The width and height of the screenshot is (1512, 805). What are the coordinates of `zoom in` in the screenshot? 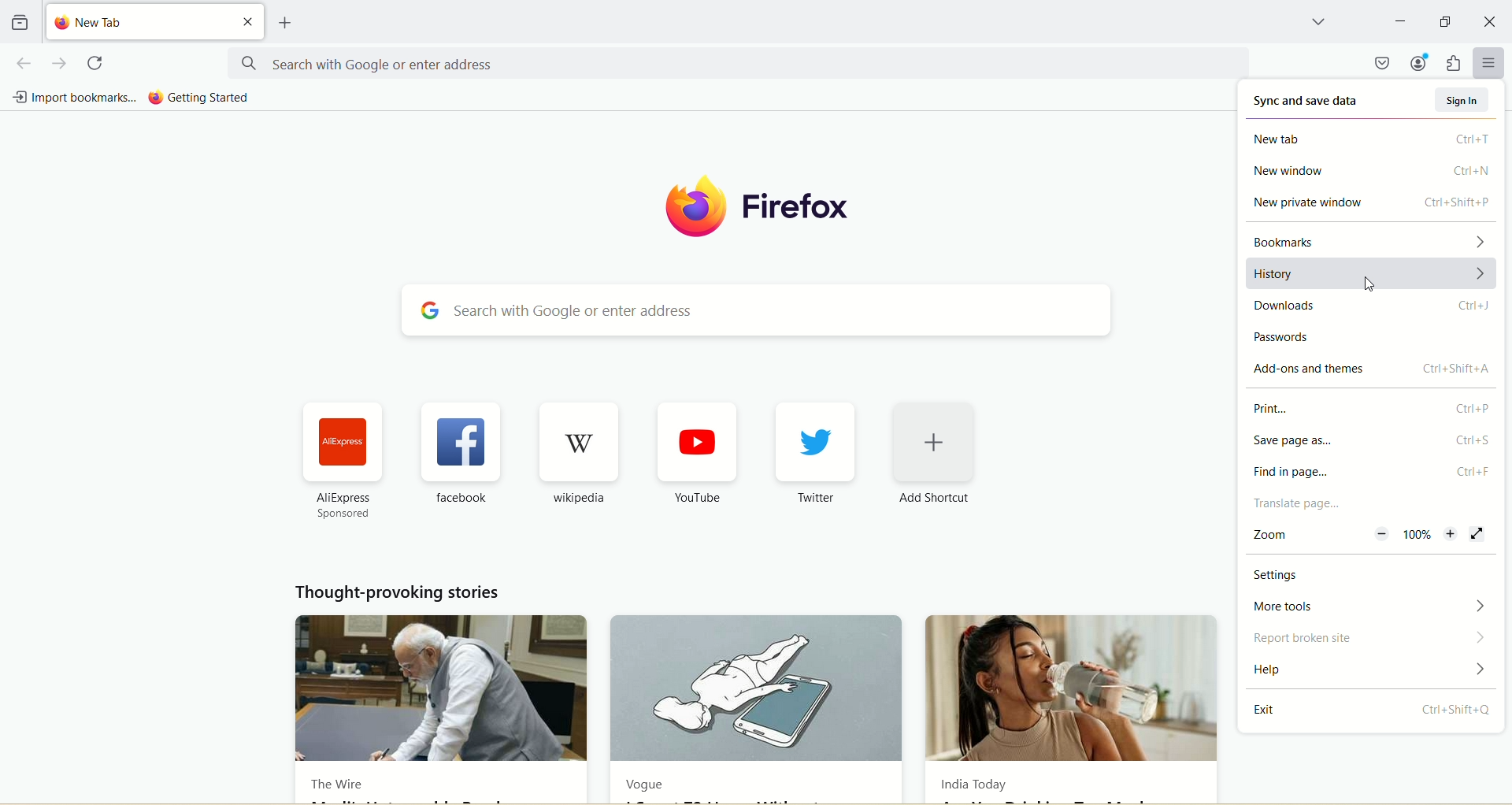 It's located at (1452, 536).